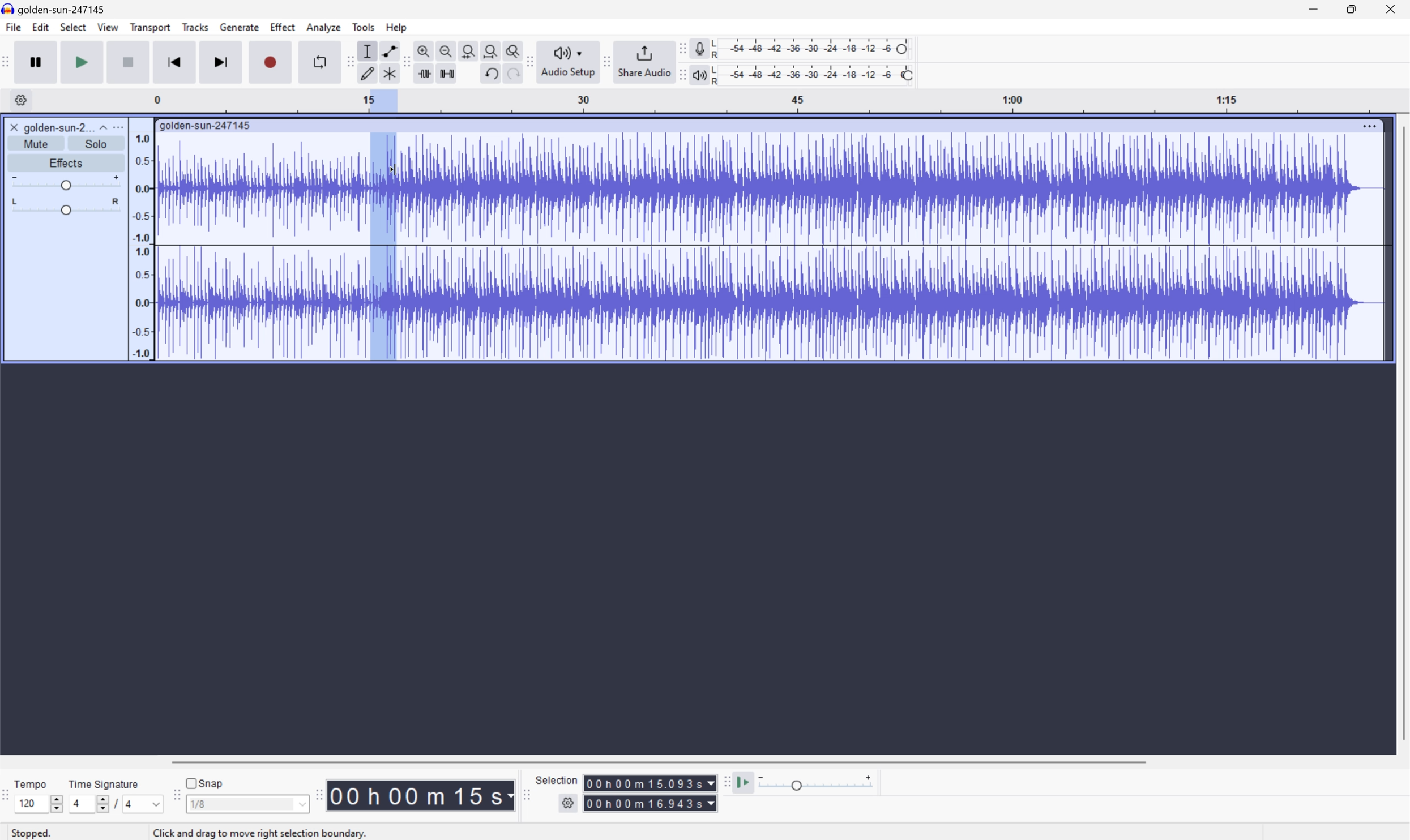 Image resolution: width=1410 pixels, height=840 pixels. Describe the element at coordinates (771, 248) in the screenshot. I see `Audio` at that location.